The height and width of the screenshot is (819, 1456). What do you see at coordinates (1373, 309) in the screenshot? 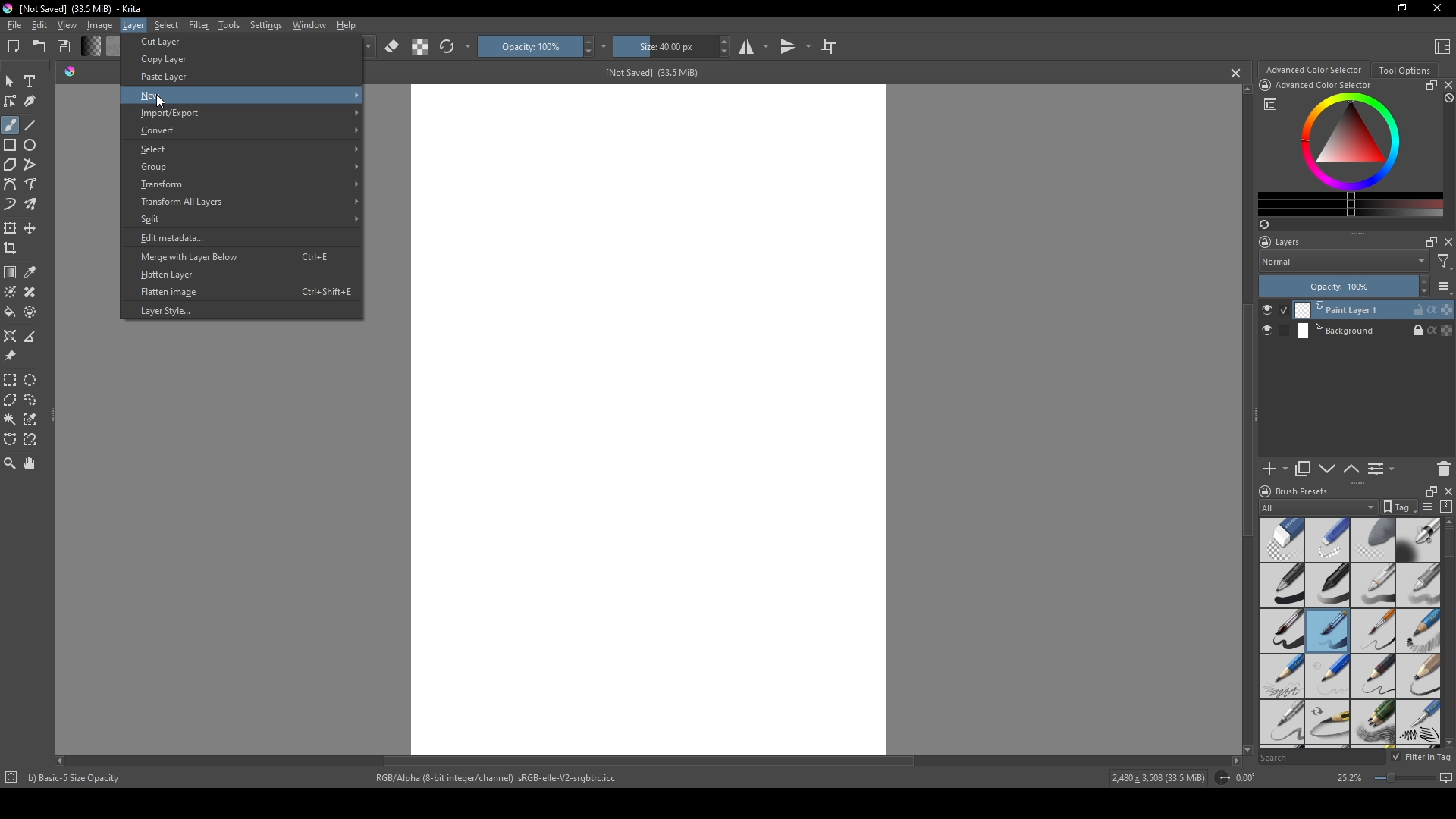
I see `Print Layer 1` at bounding box center [1373, 309].